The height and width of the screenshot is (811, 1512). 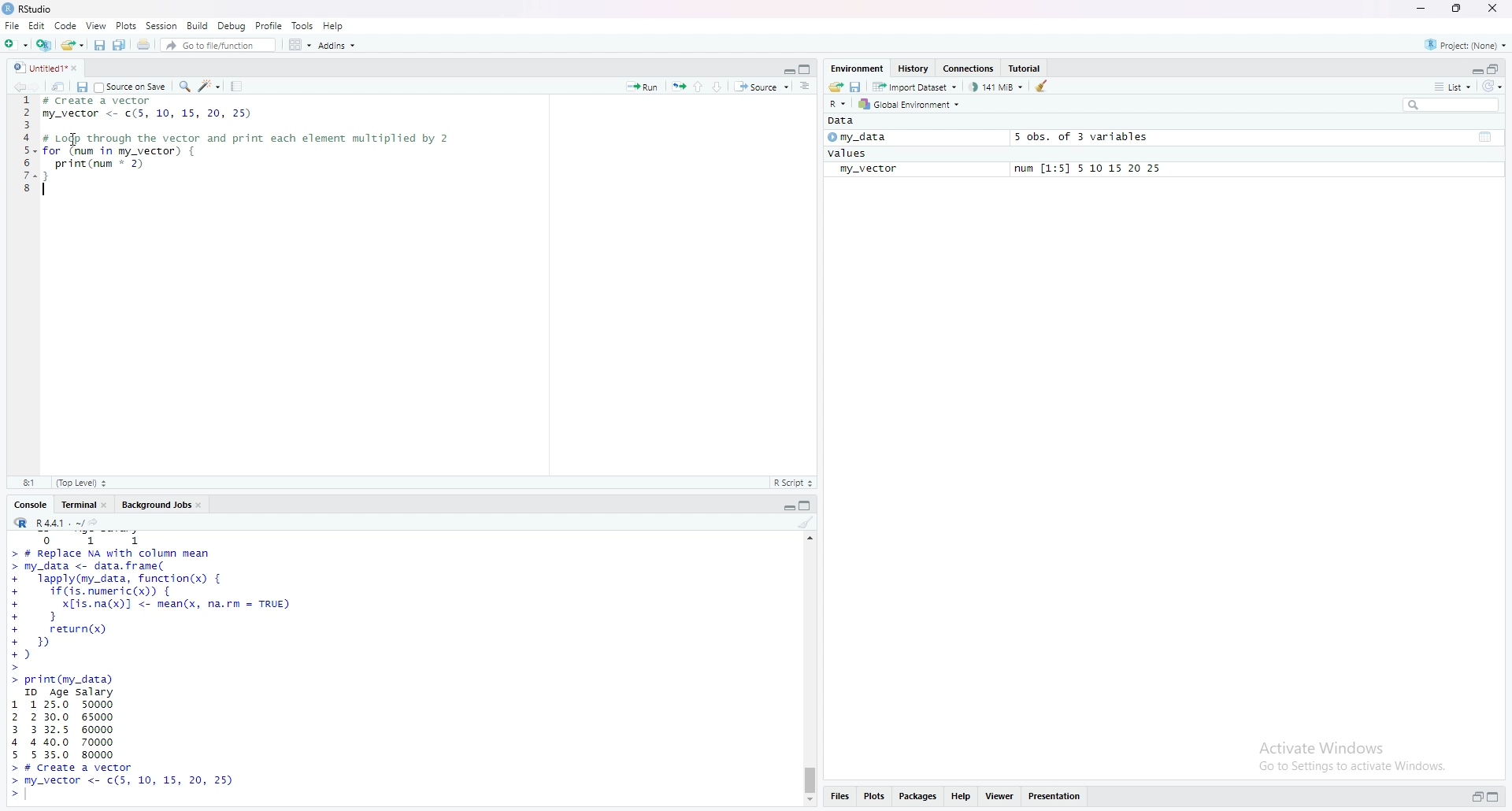 What do you see at coordinates (913, 104) in the screenshot?
I see `Global Environment ` at bounding box center [913, 104].